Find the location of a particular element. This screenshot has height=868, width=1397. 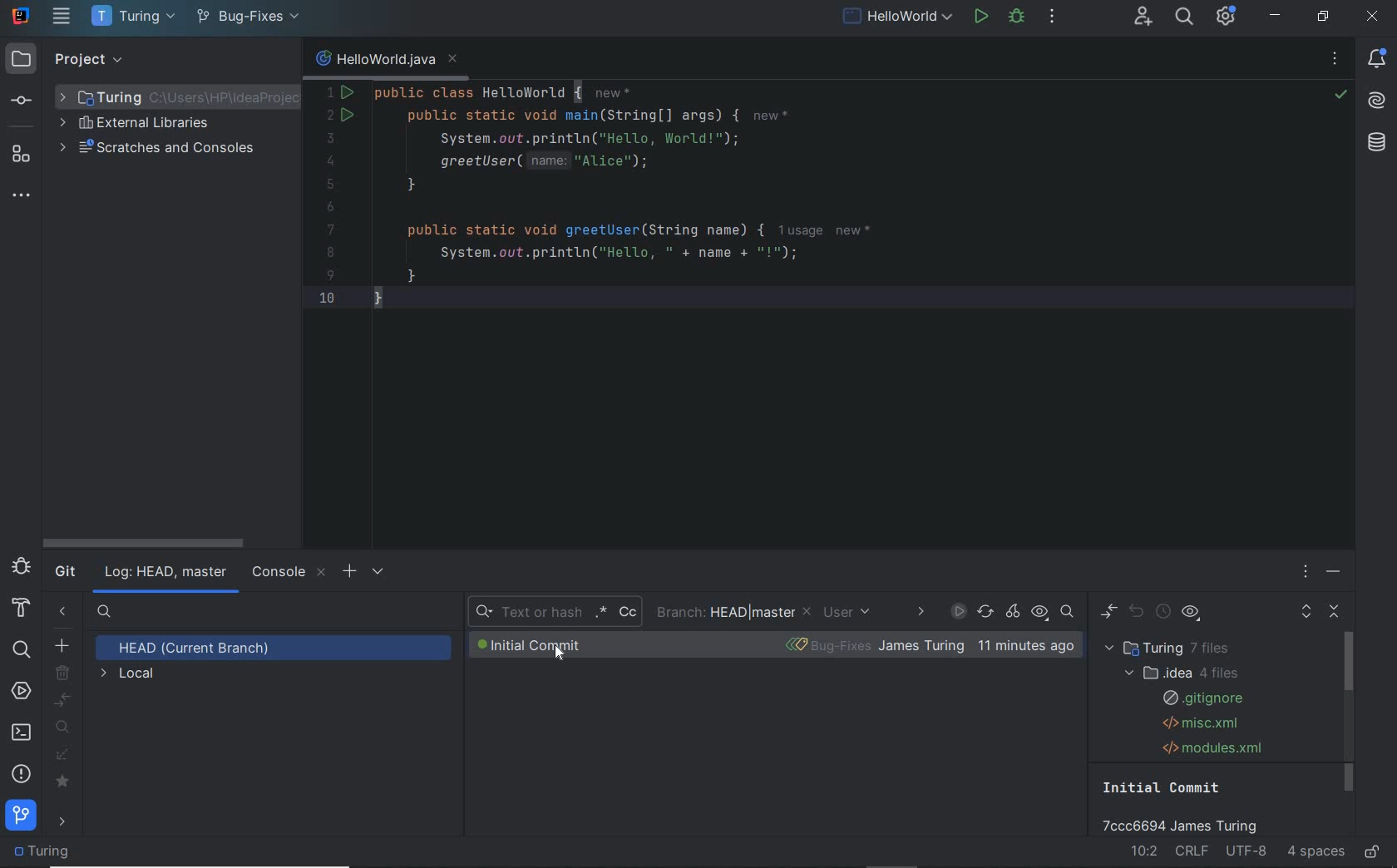

ENABLE GIT LOG INDEXING is located at coordinates (958, 611).